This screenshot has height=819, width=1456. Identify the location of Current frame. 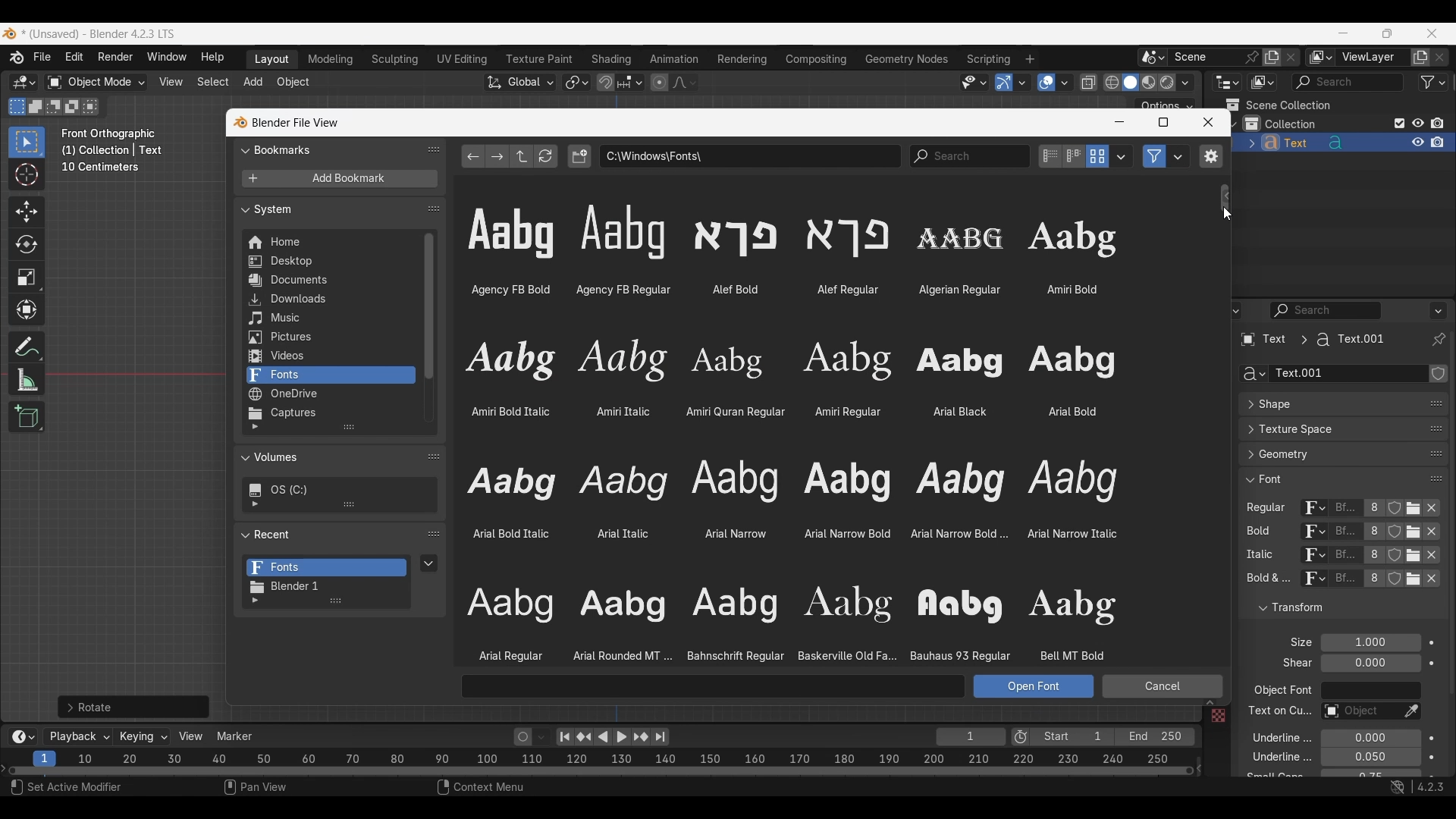
(971, 738).